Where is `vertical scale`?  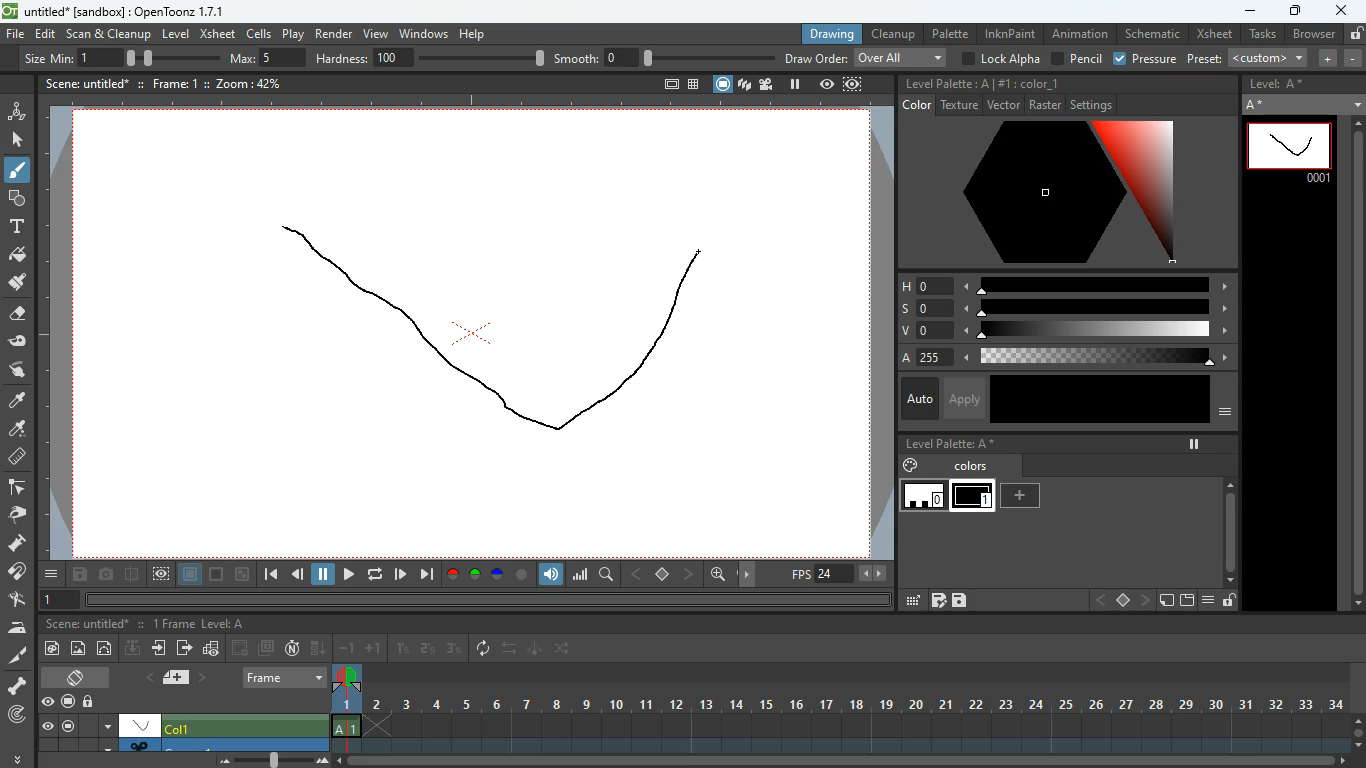 vertical scale is located at coordinates (57, 338).